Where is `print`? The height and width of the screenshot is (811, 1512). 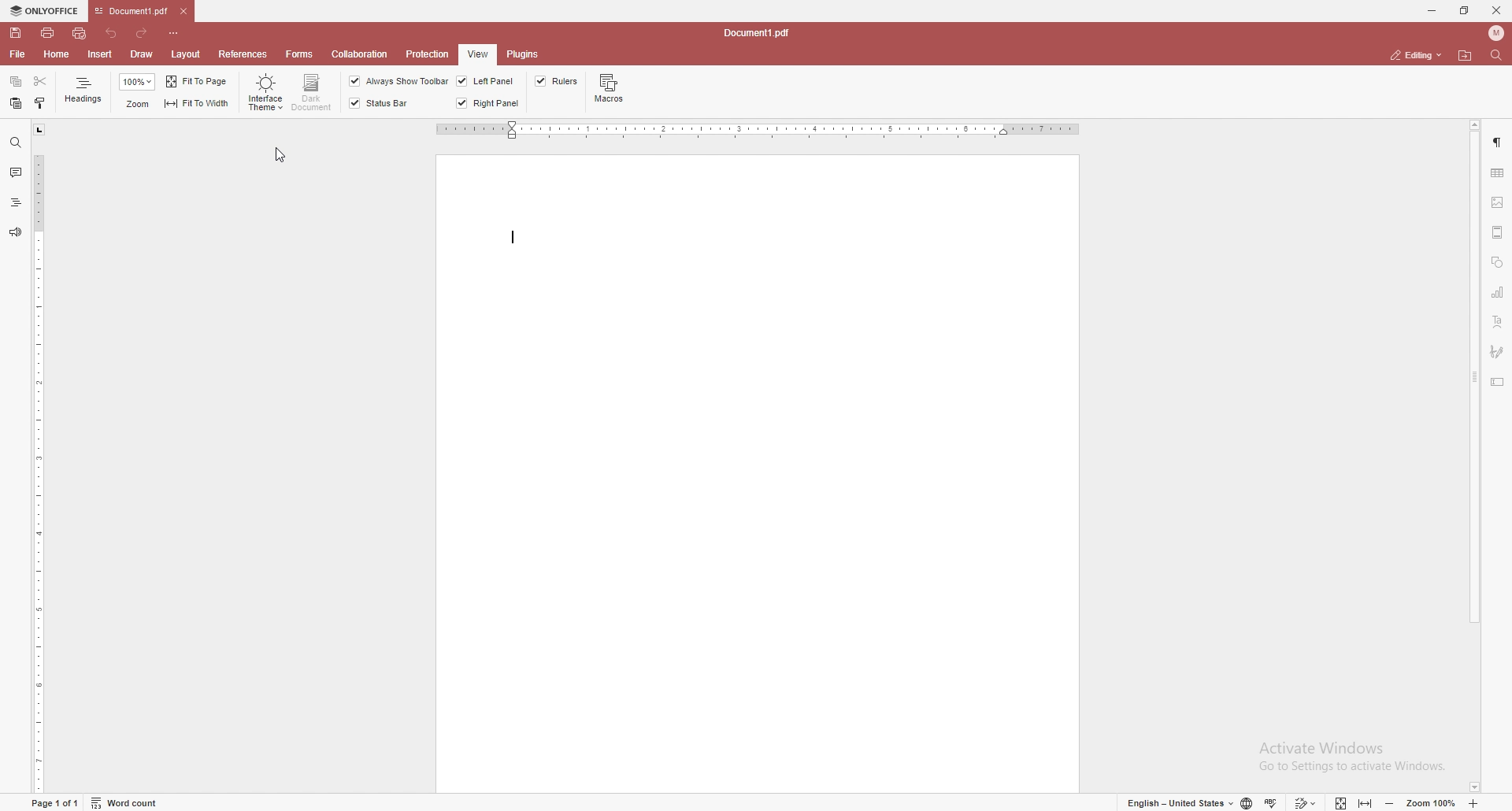
print is located at coordinates (49, 33).